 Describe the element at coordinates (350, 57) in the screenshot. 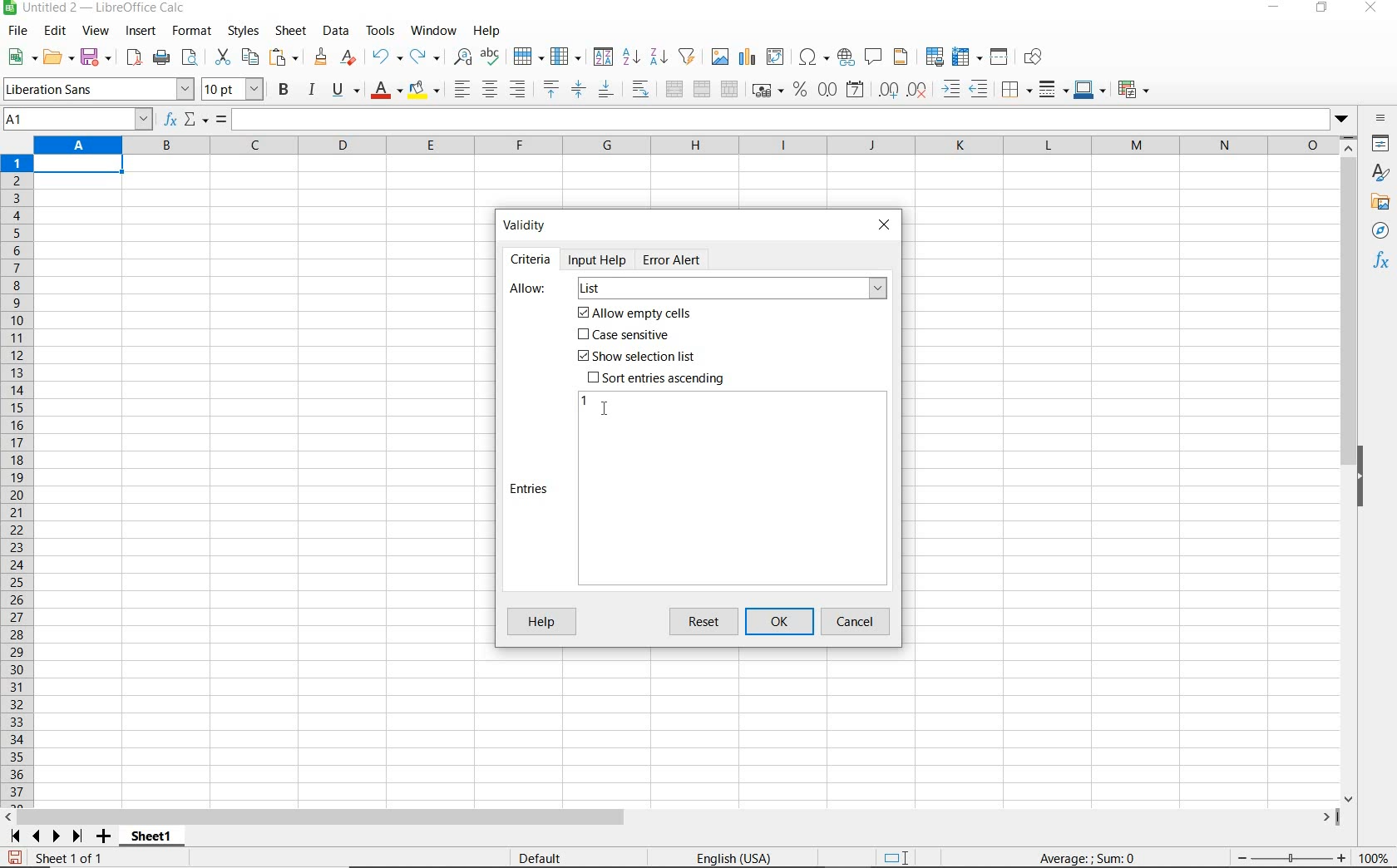

I see `clear direct formatting` at that location.